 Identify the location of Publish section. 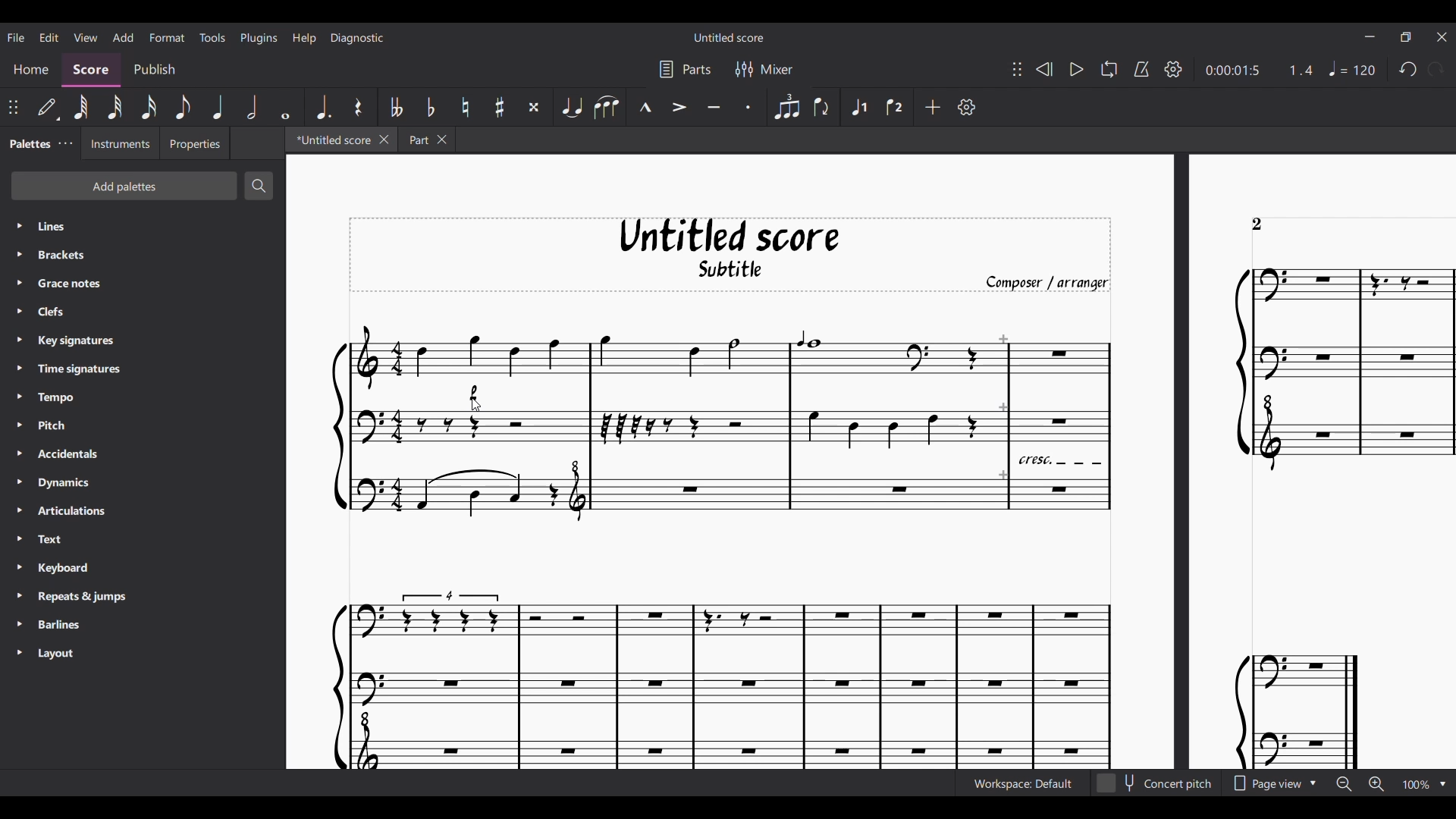
(153, 70).